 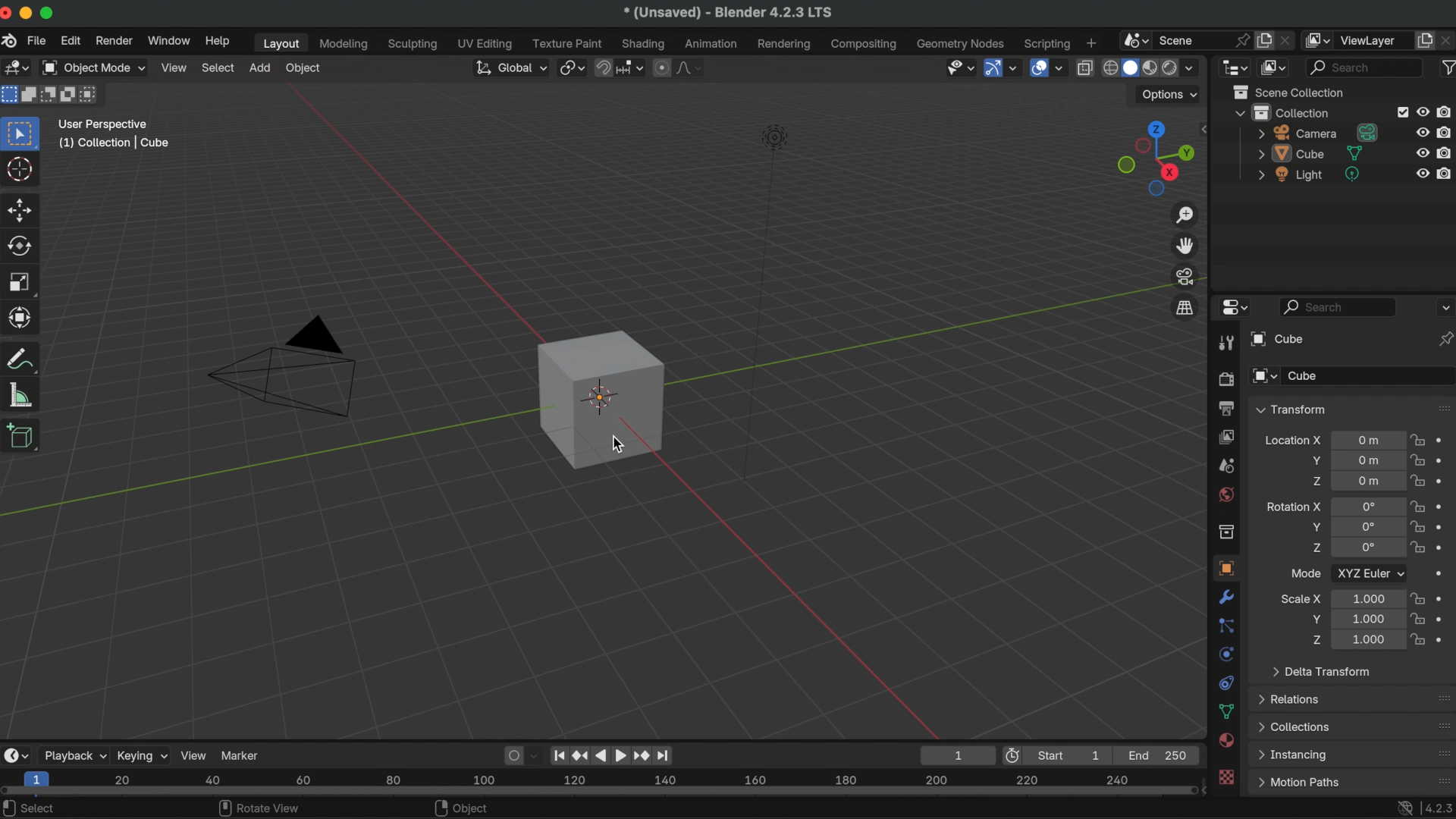 I want to click on close, so click(x=9, y=14).